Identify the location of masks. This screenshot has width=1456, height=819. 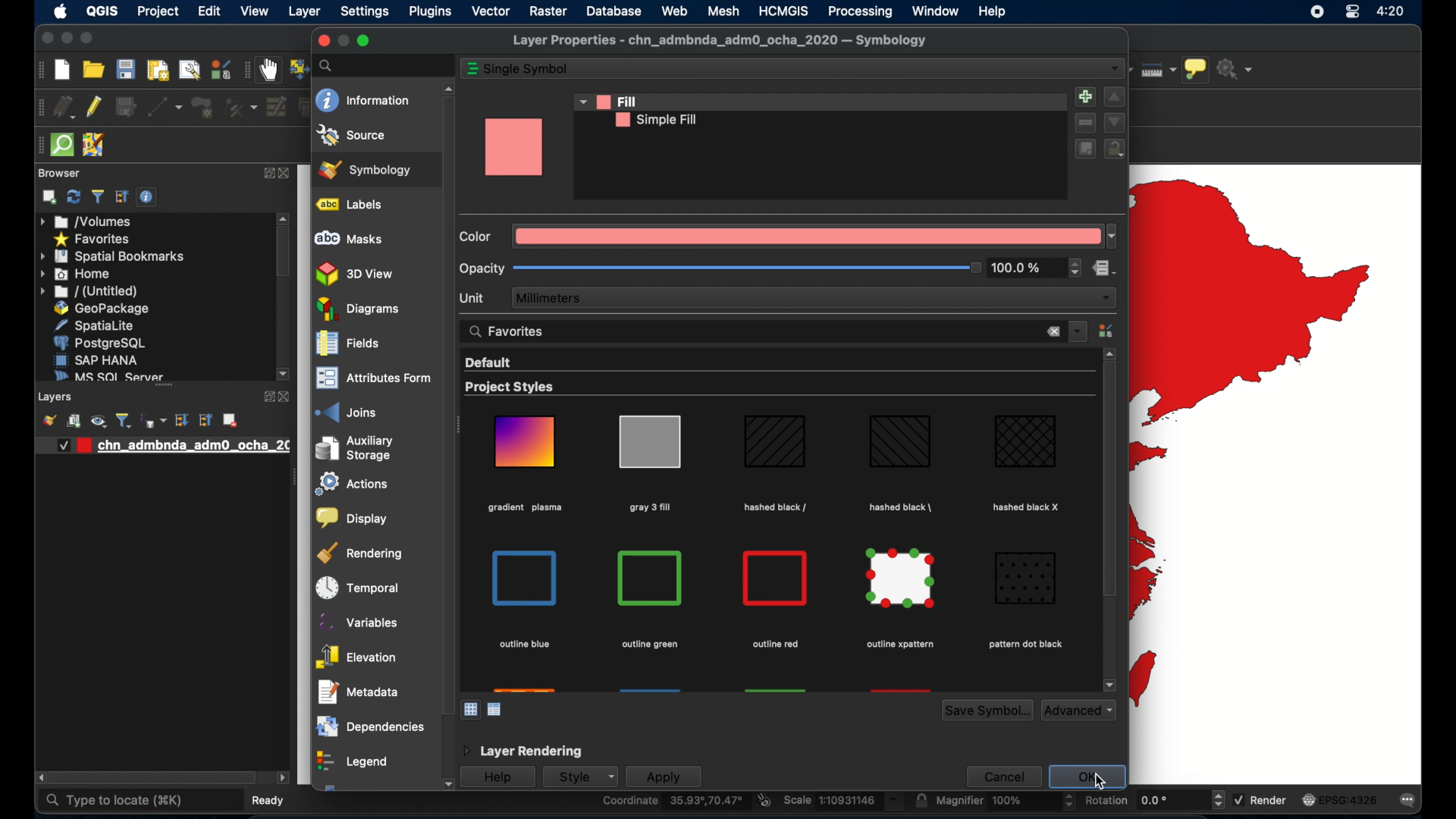
(348, 239).